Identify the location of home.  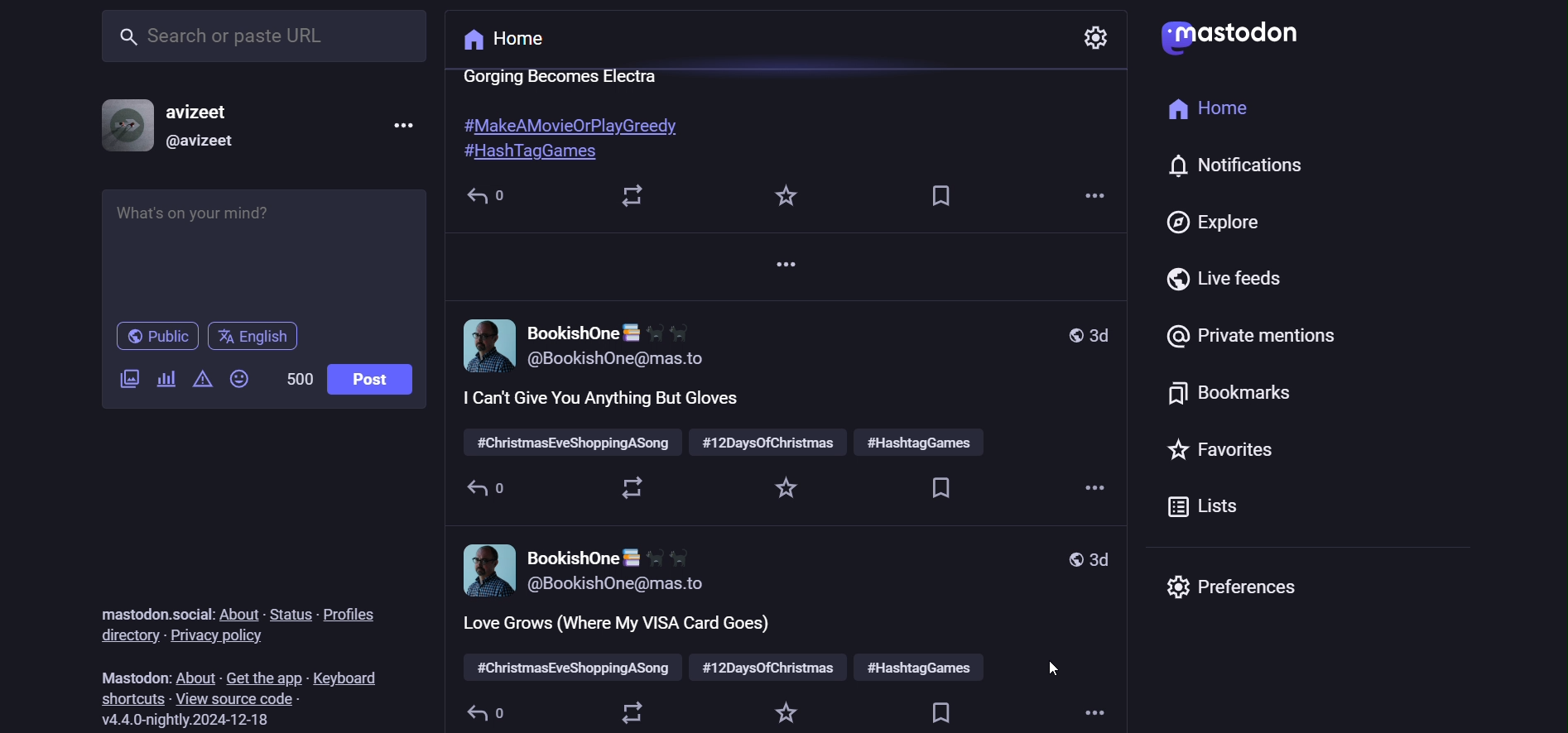
(507, 41).